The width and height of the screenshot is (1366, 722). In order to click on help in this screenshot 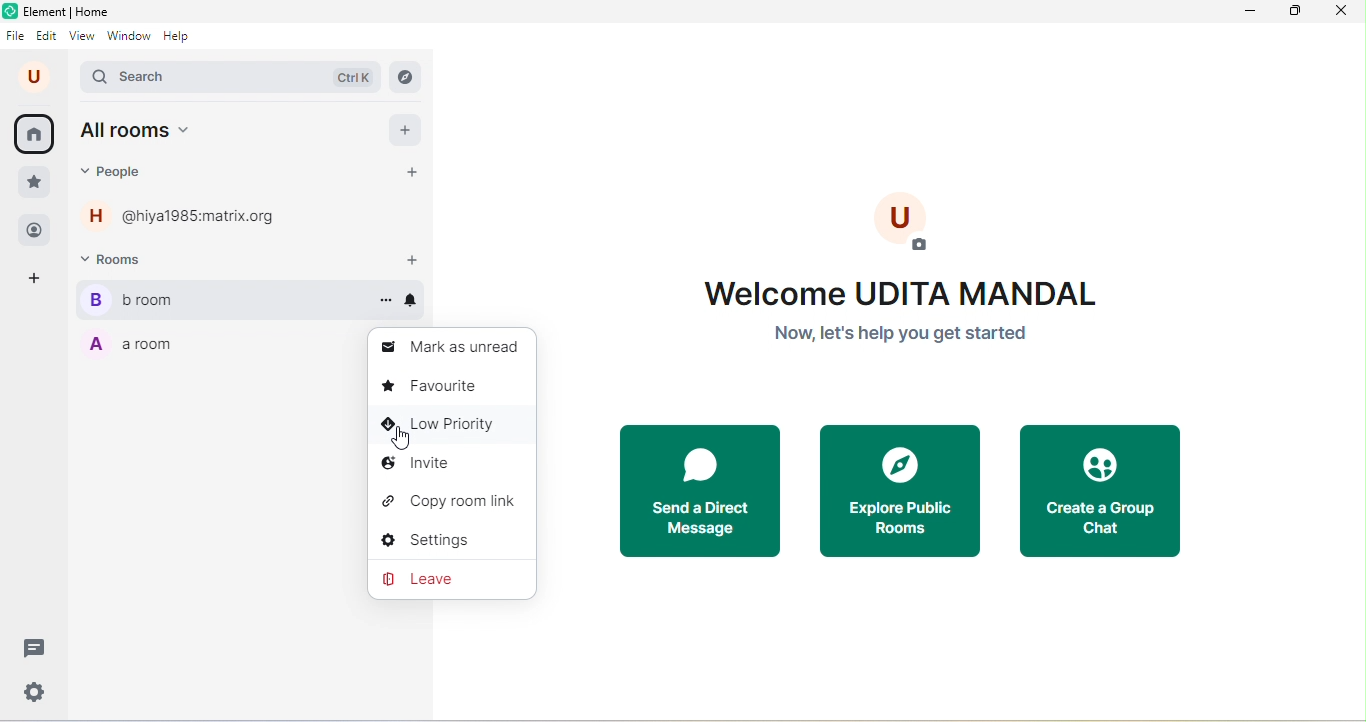, I will do `click(181, 37)`.